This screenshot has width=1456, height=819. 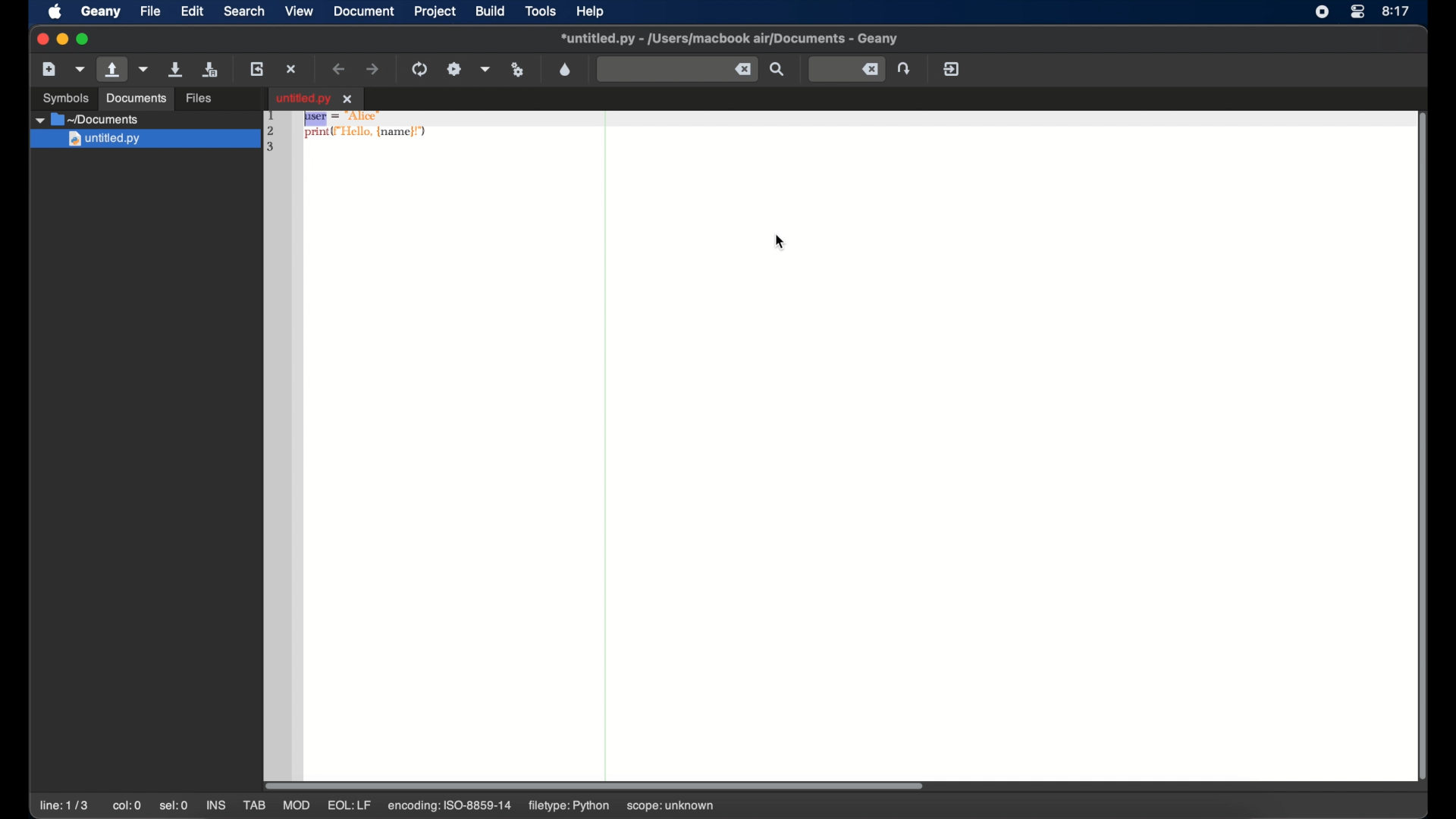 I want to click on time, so click(x=1397, y=11).